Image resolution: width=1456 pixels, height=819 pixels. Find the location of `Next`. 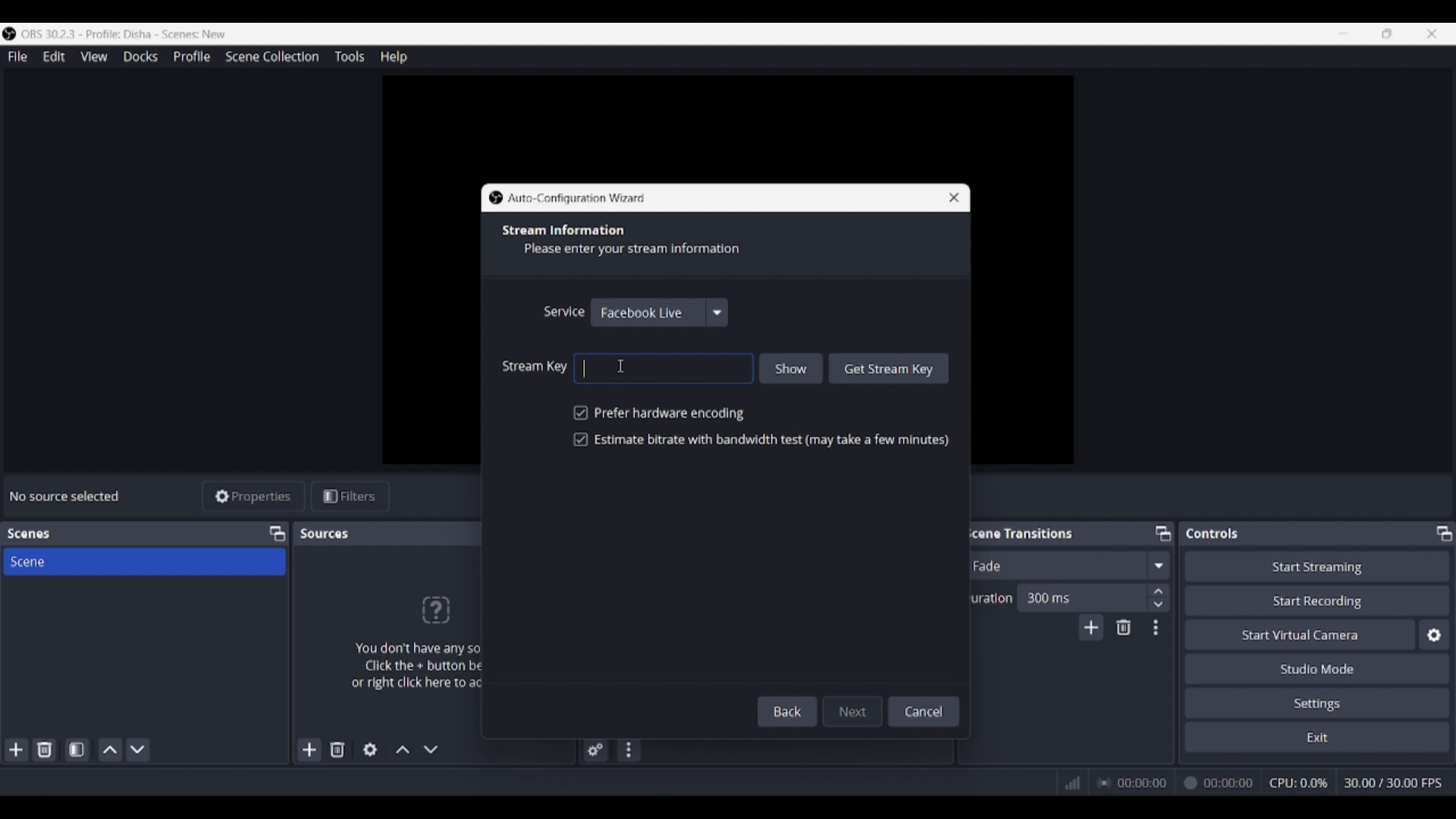

Next is located at coordinates (854, 708).